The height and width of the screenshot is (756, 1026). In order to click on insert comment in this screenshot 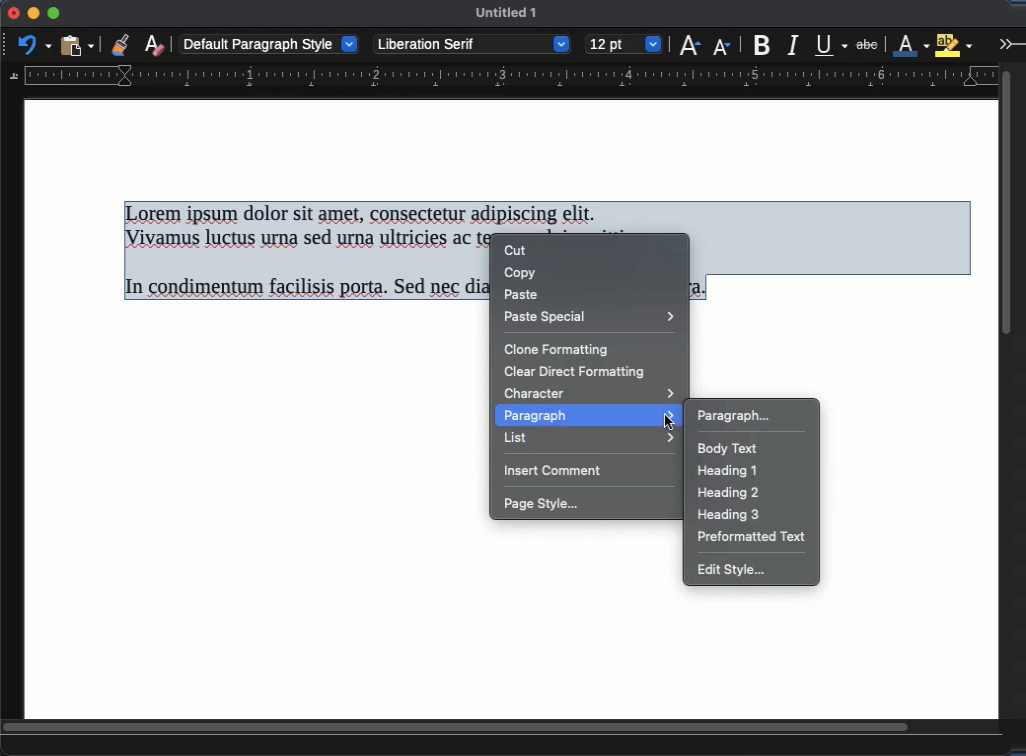, I will do `click(557, 472)`.